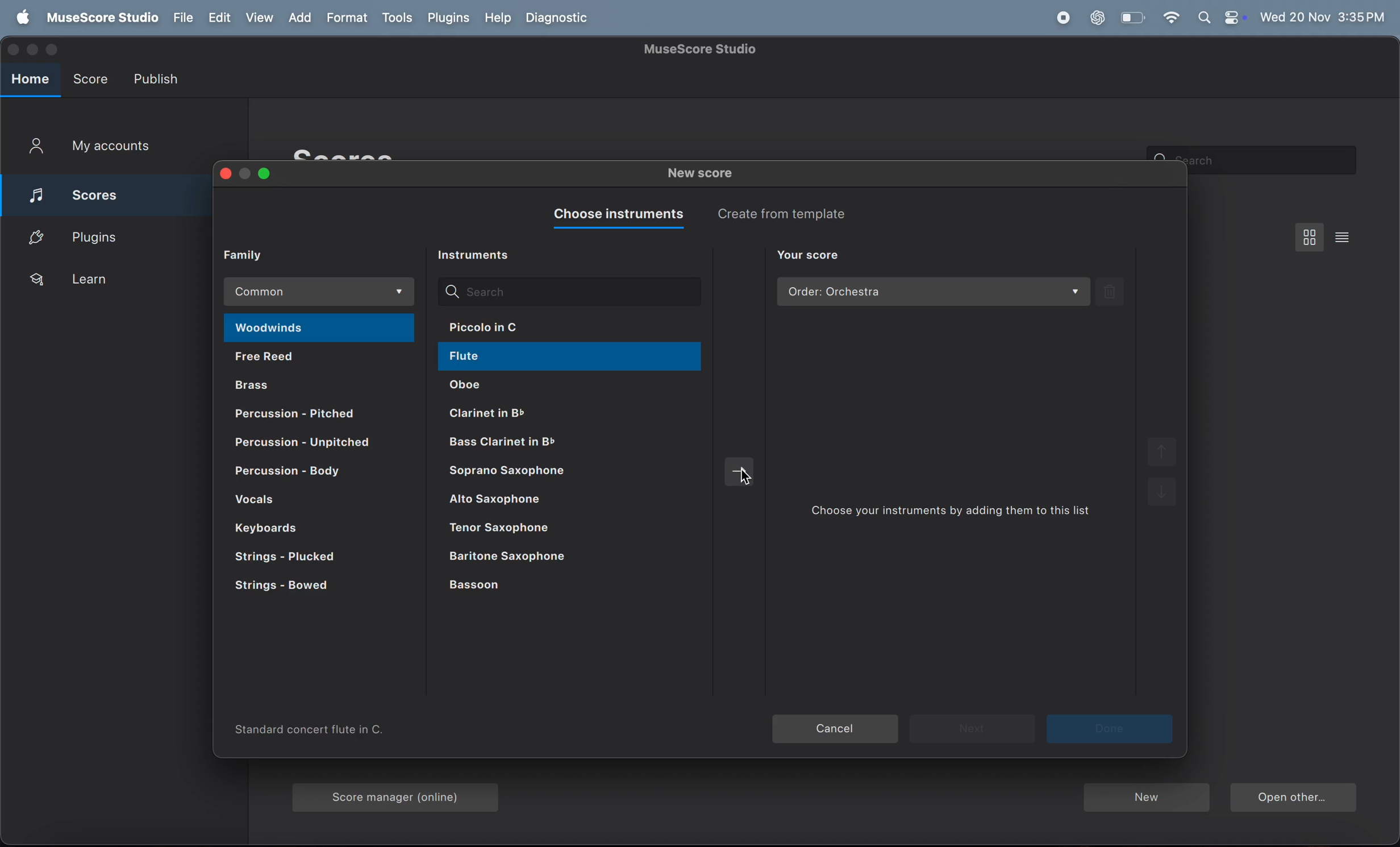 This screenshot has width=1400, height=847. I want to click on choose your instrument by adding them to list, so click(957, 514).